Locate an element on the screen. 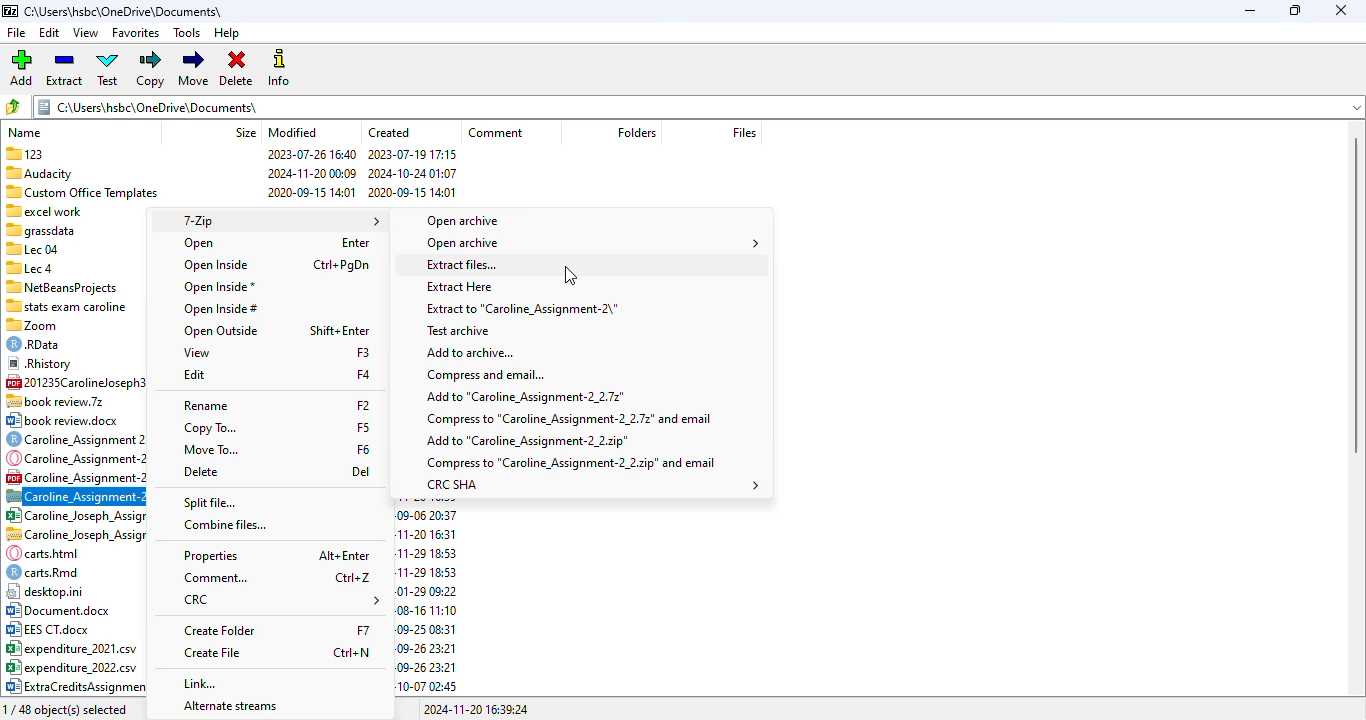  comment is located at coordinates (495, 132).